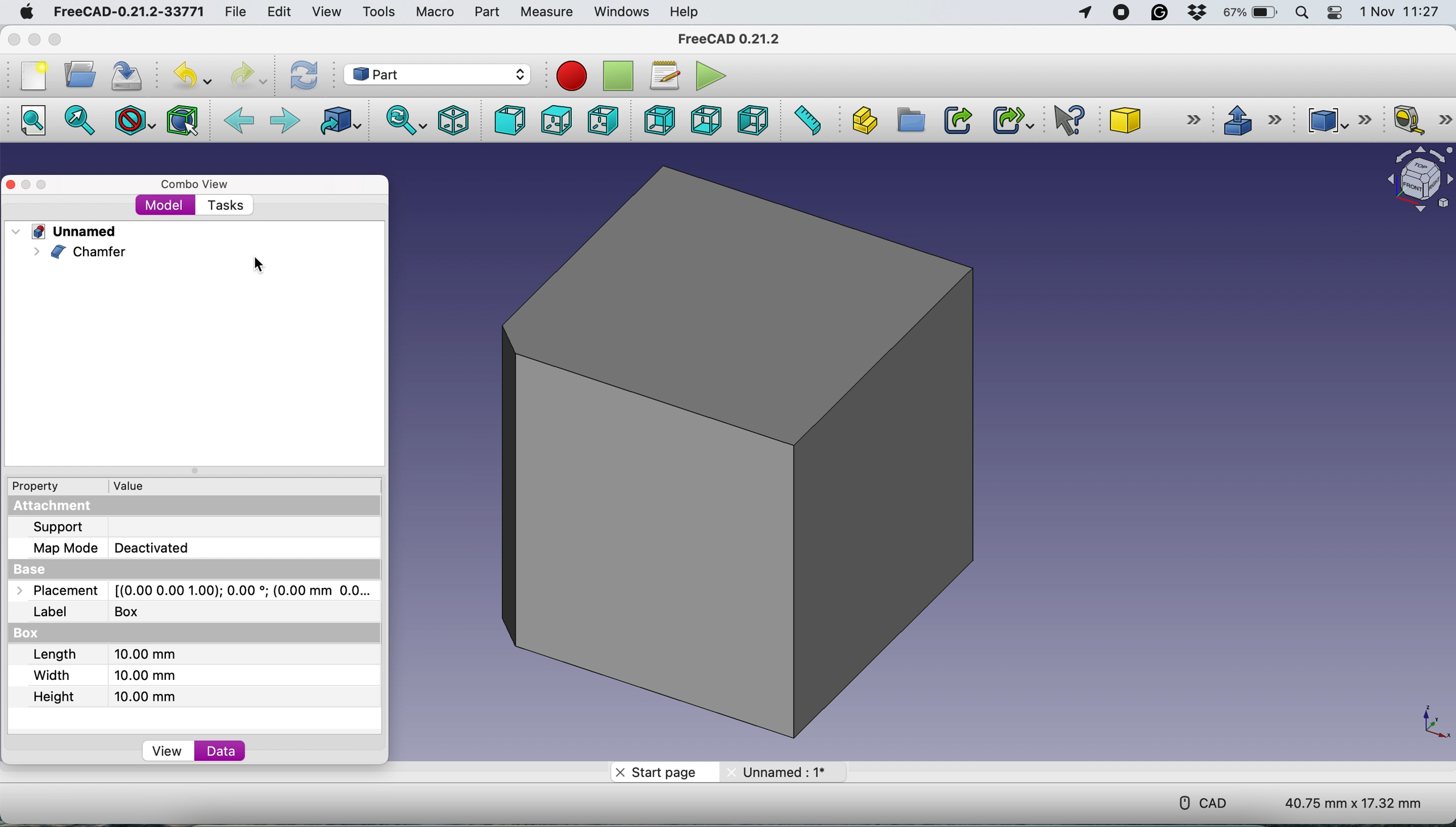 The image size is (1456, 827). Describe the element at coordinates (16, 41) in the screenshot. I see `close` at that location.